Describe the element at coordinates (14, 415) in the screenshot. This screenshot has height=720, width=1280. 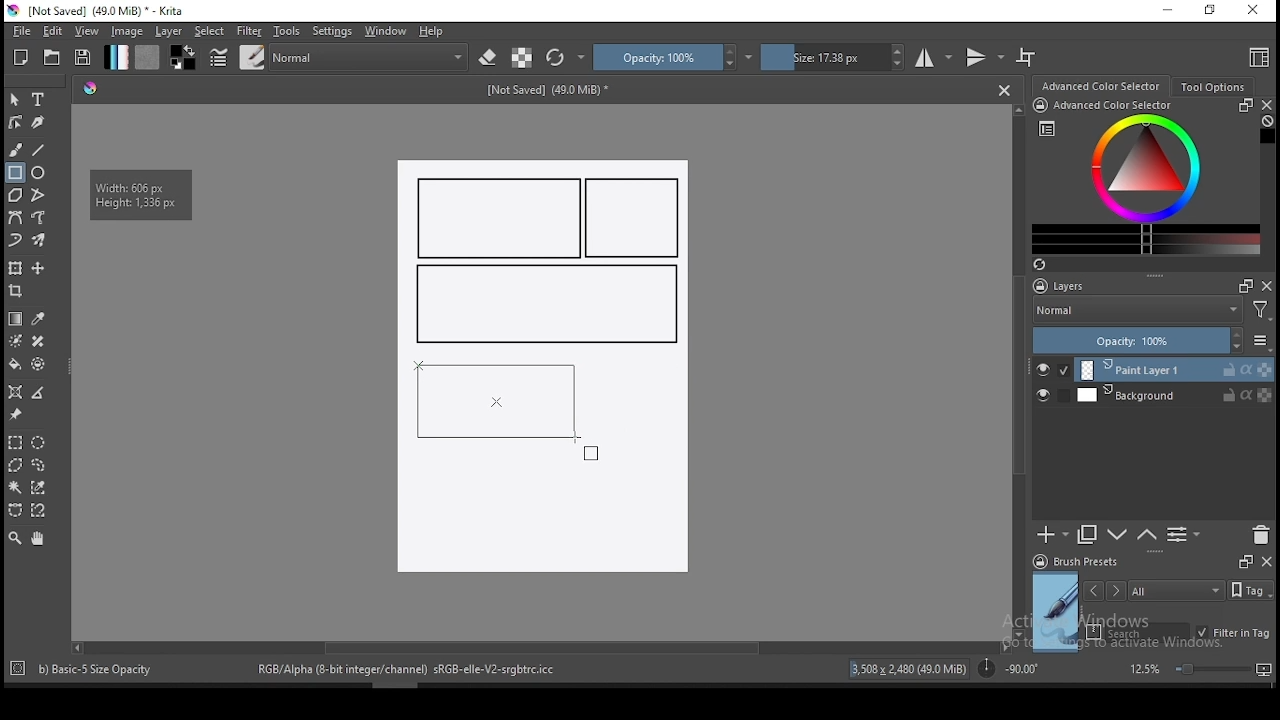
I see `reference images tool` at that location.